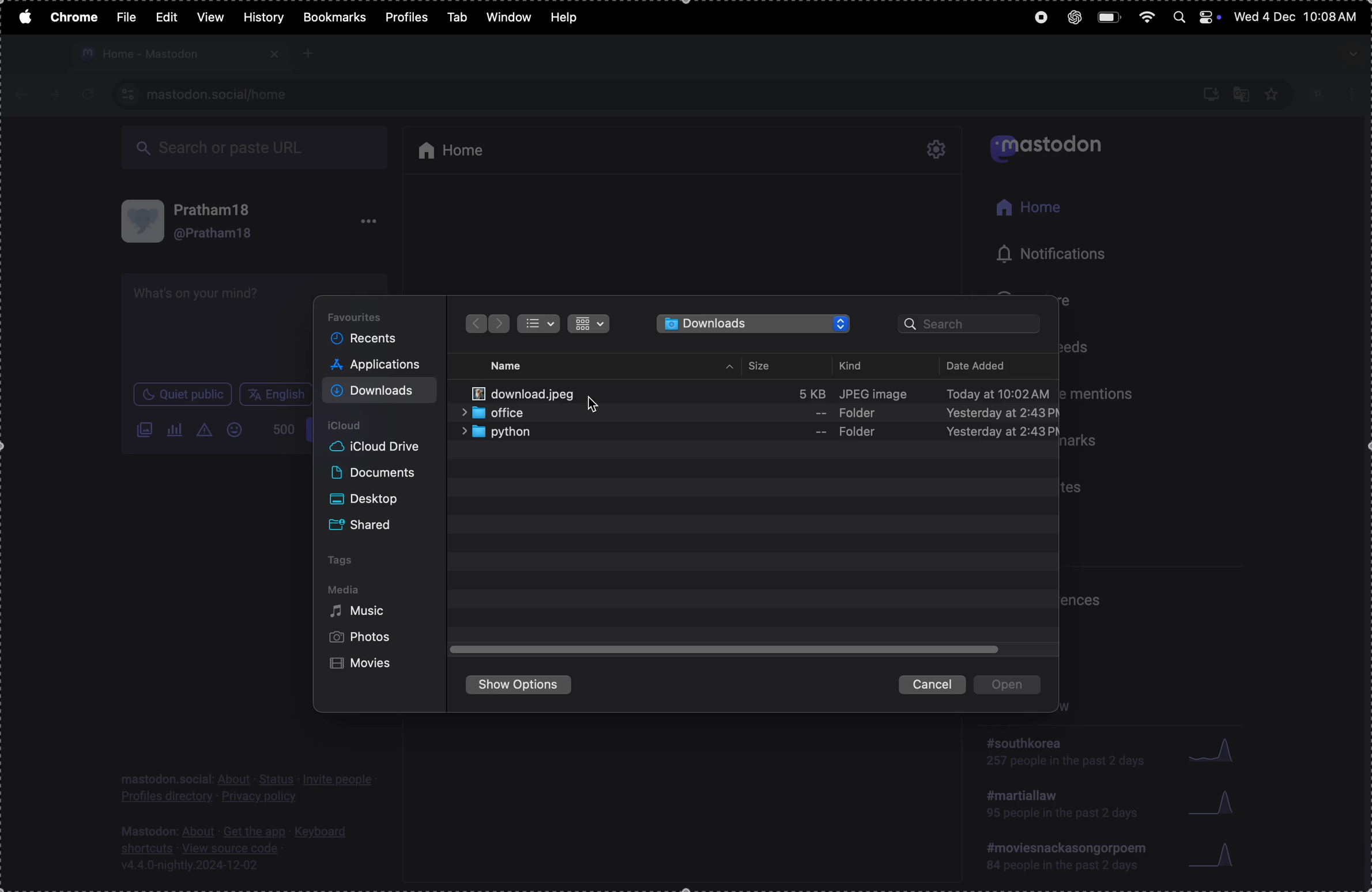 Image resolution: width=1372 pixels, height=892 pixels. Describe the element at coordinates (460, 147) in the screenshot. I see `Home` at that location.